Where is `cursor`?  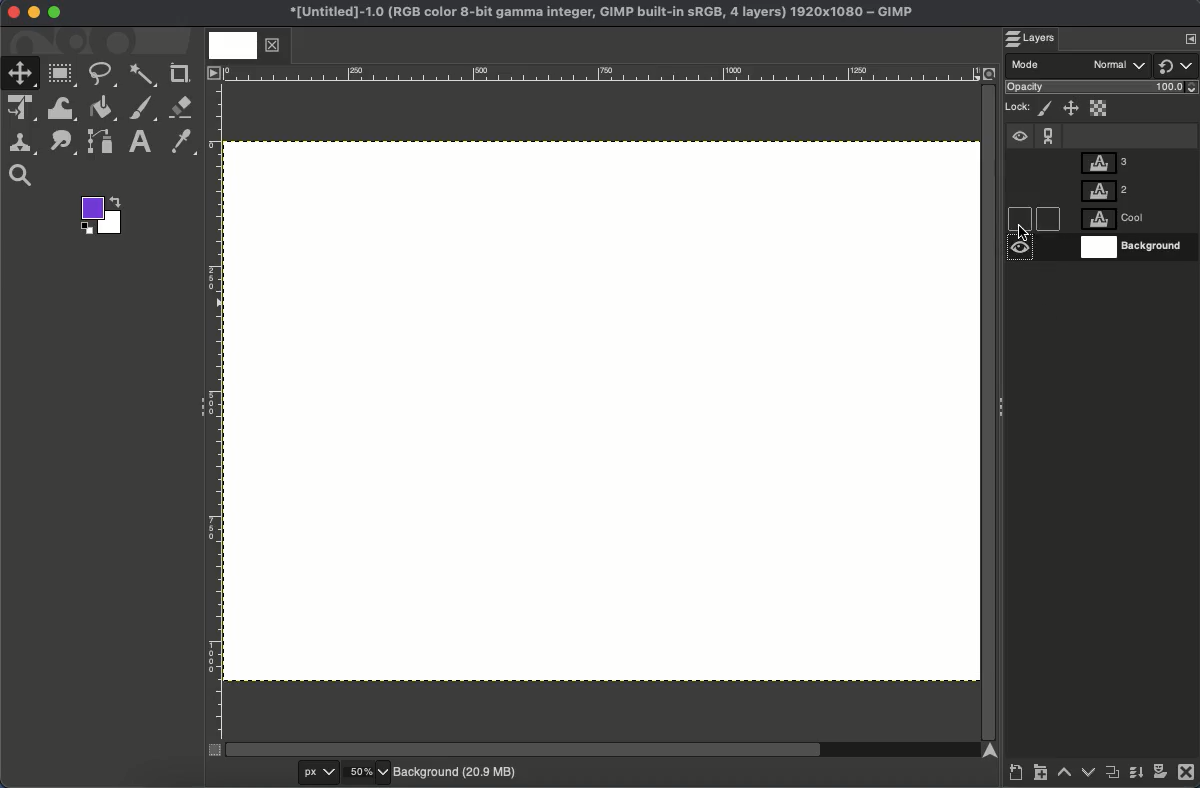
cursor is located at coordinates (1022, 230).